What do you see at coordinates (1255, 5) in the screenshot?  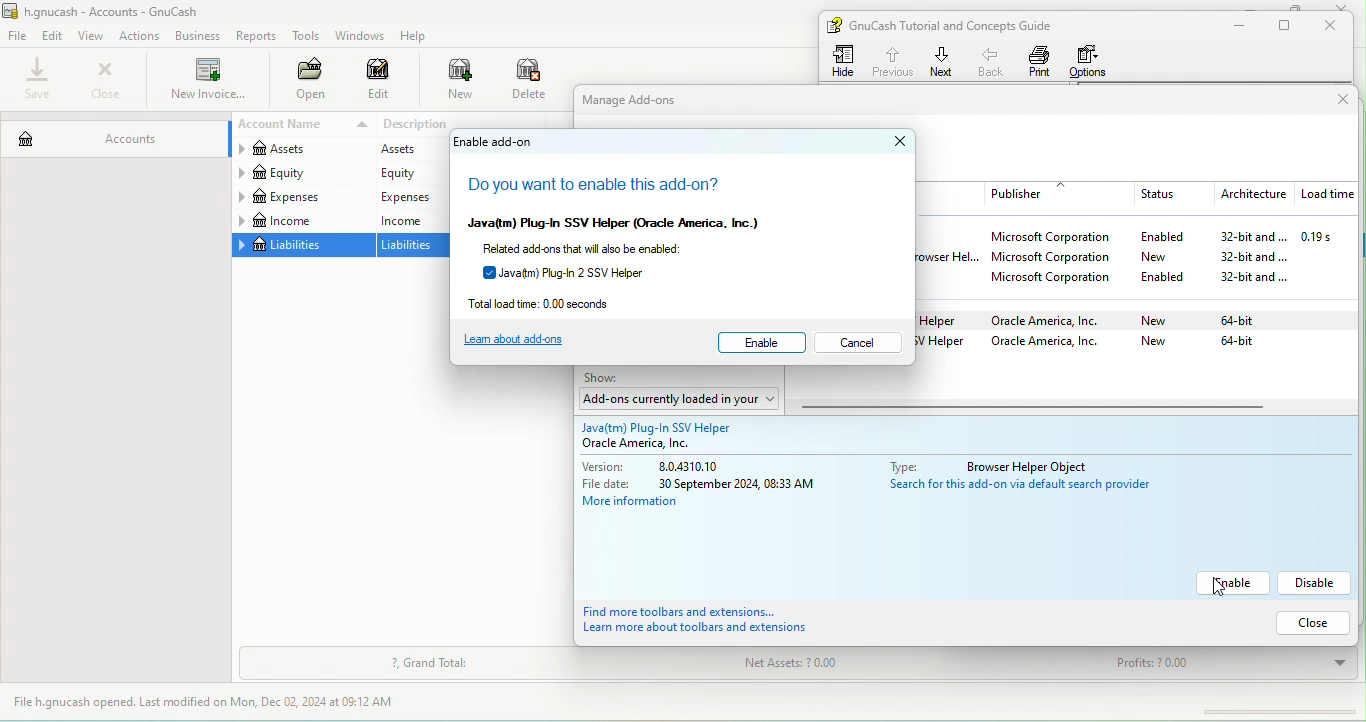 I see `minimize` at bounding box center [1255, 5].